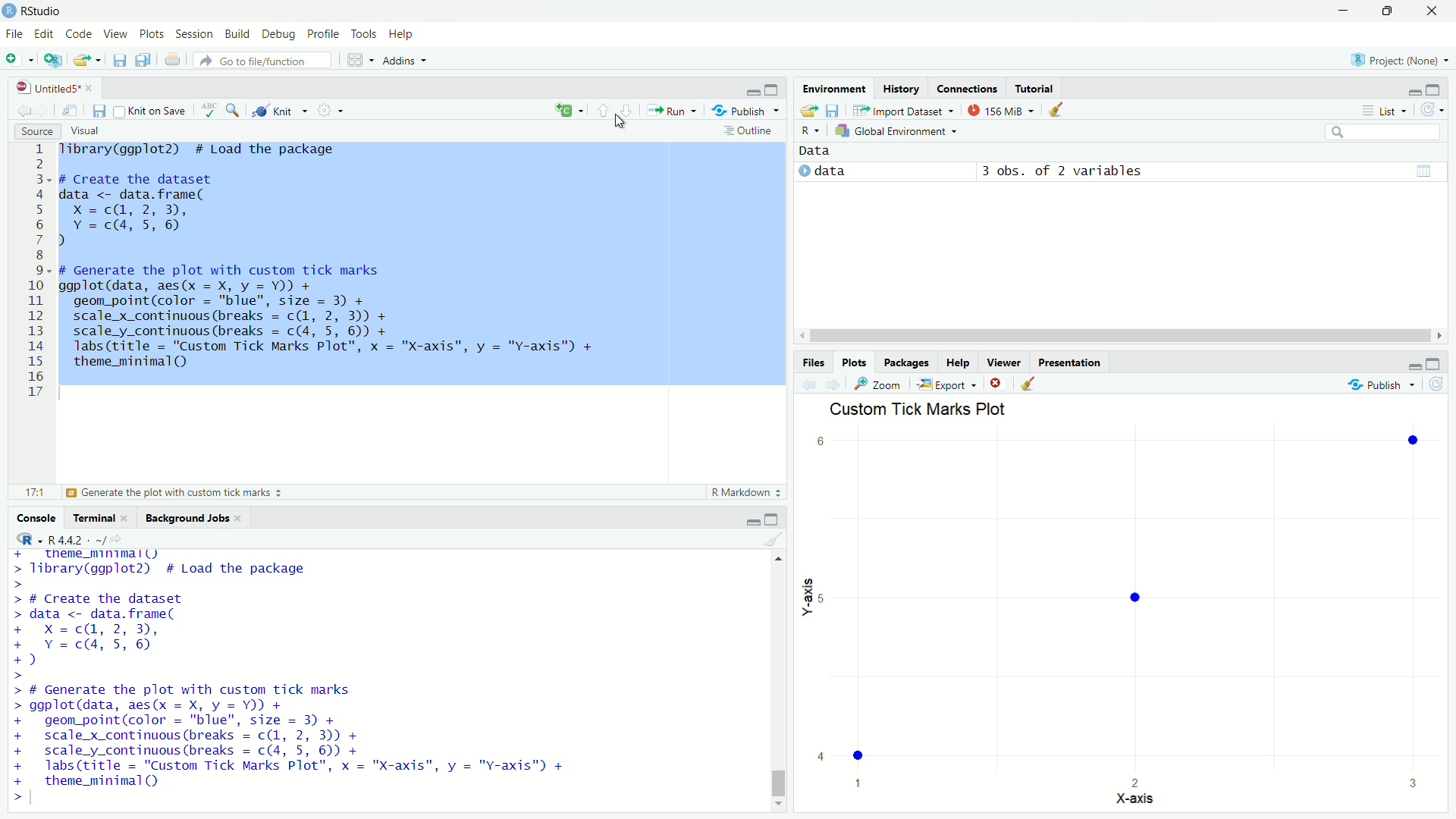 The width and height of the screenshot is (1456, 819). Describe the element at coordinates (136, 631) in the screenshot. I see `code to create the dataset` at that location.